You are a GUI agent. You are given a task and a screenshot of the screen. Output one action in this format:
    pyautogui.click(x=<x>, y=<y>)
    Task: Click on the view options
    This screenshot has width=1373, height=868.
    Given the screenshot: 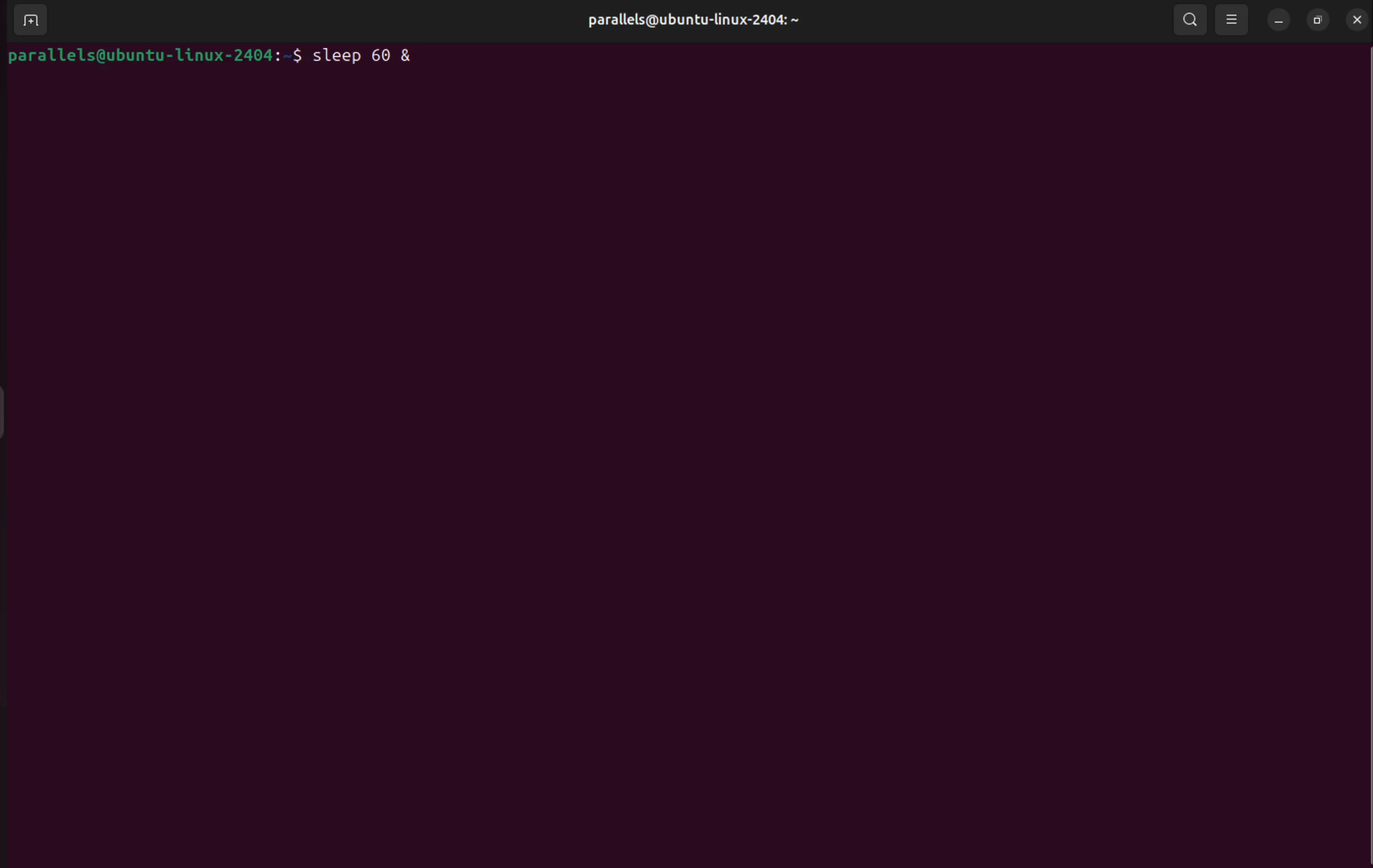 What is the action you would take?
    pyautogui.click(x=1233, y=20)
    